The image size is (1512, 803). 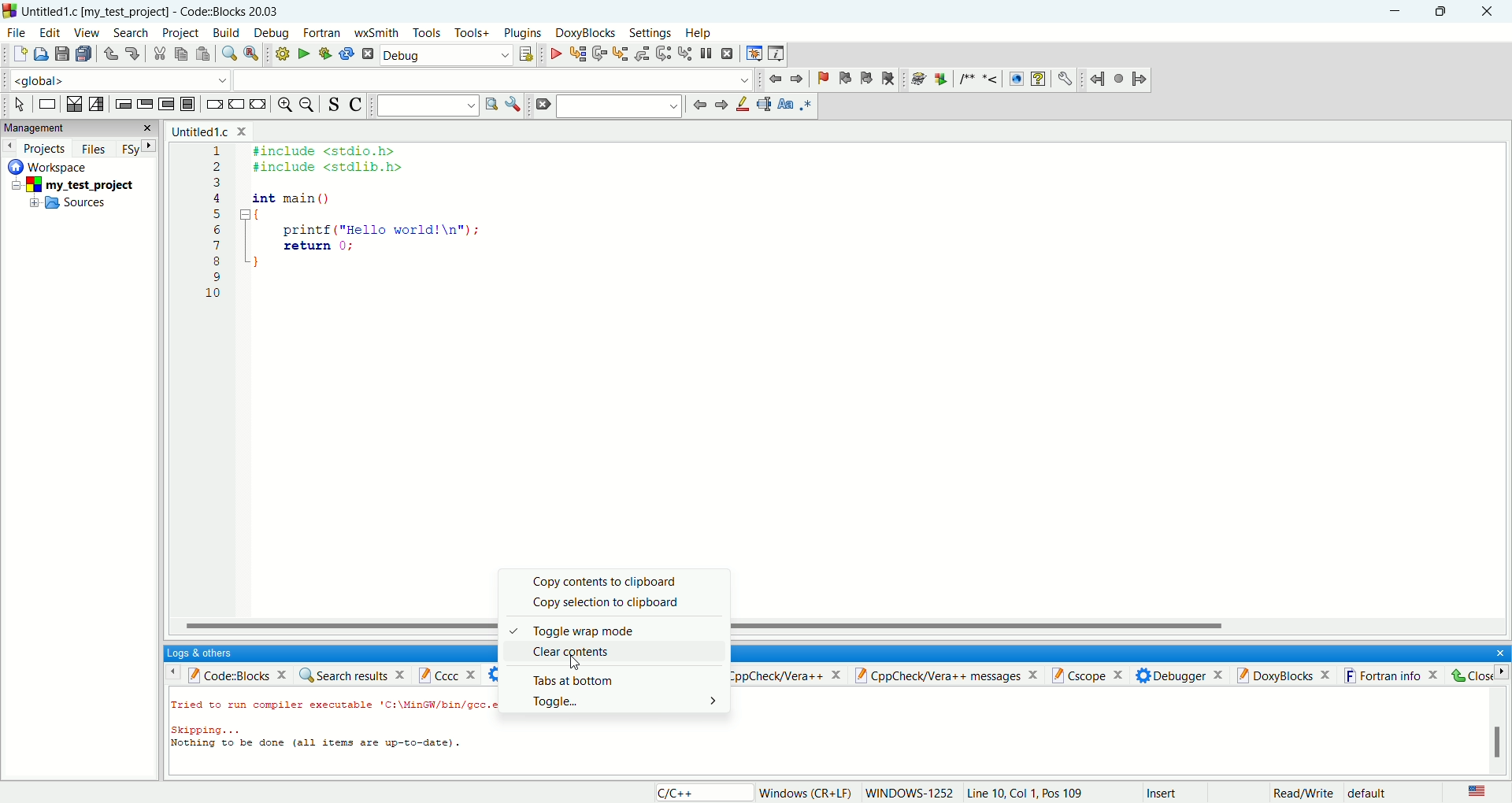 What do you see at coordinates (710, 54) in the screenshot?
I see `break debugger` at bounding box center [710, 54].